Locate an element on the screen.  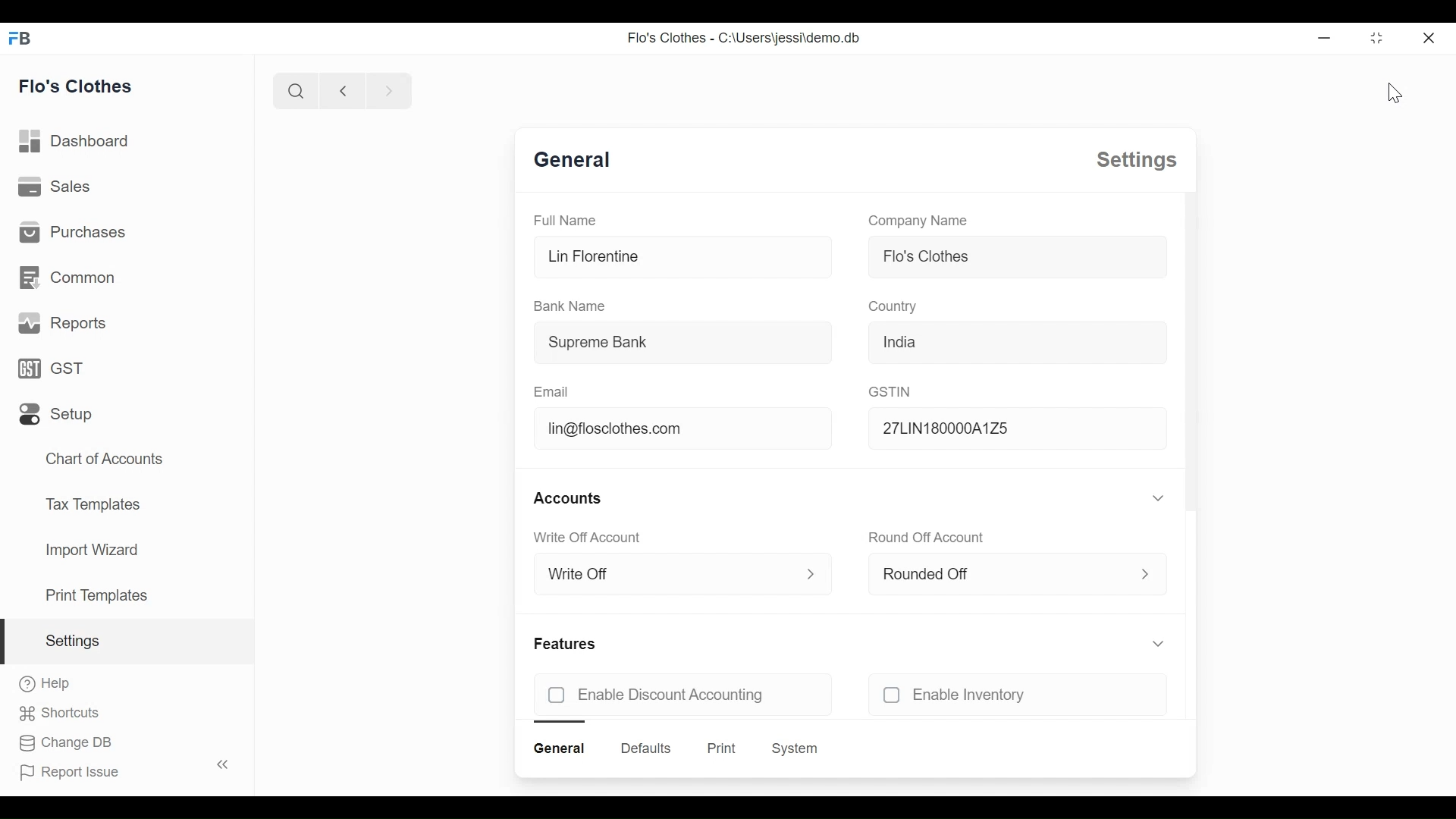
full name is located at coordinates (564, 219).